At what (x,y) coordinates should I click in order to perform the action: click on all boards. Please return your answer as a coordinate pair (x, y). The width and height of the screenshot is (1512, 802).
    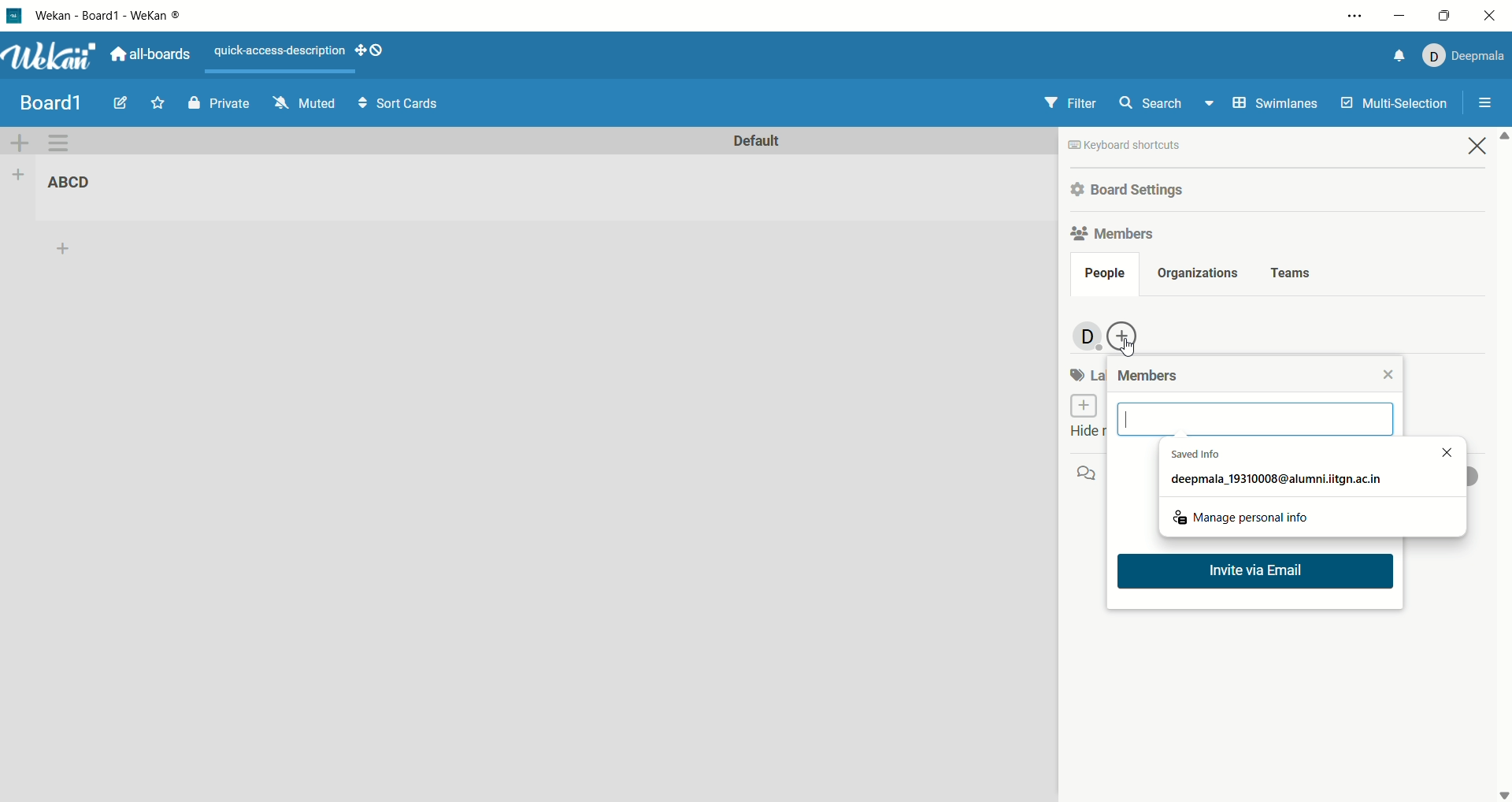
    Looking at the image, I should click on (150, 54).